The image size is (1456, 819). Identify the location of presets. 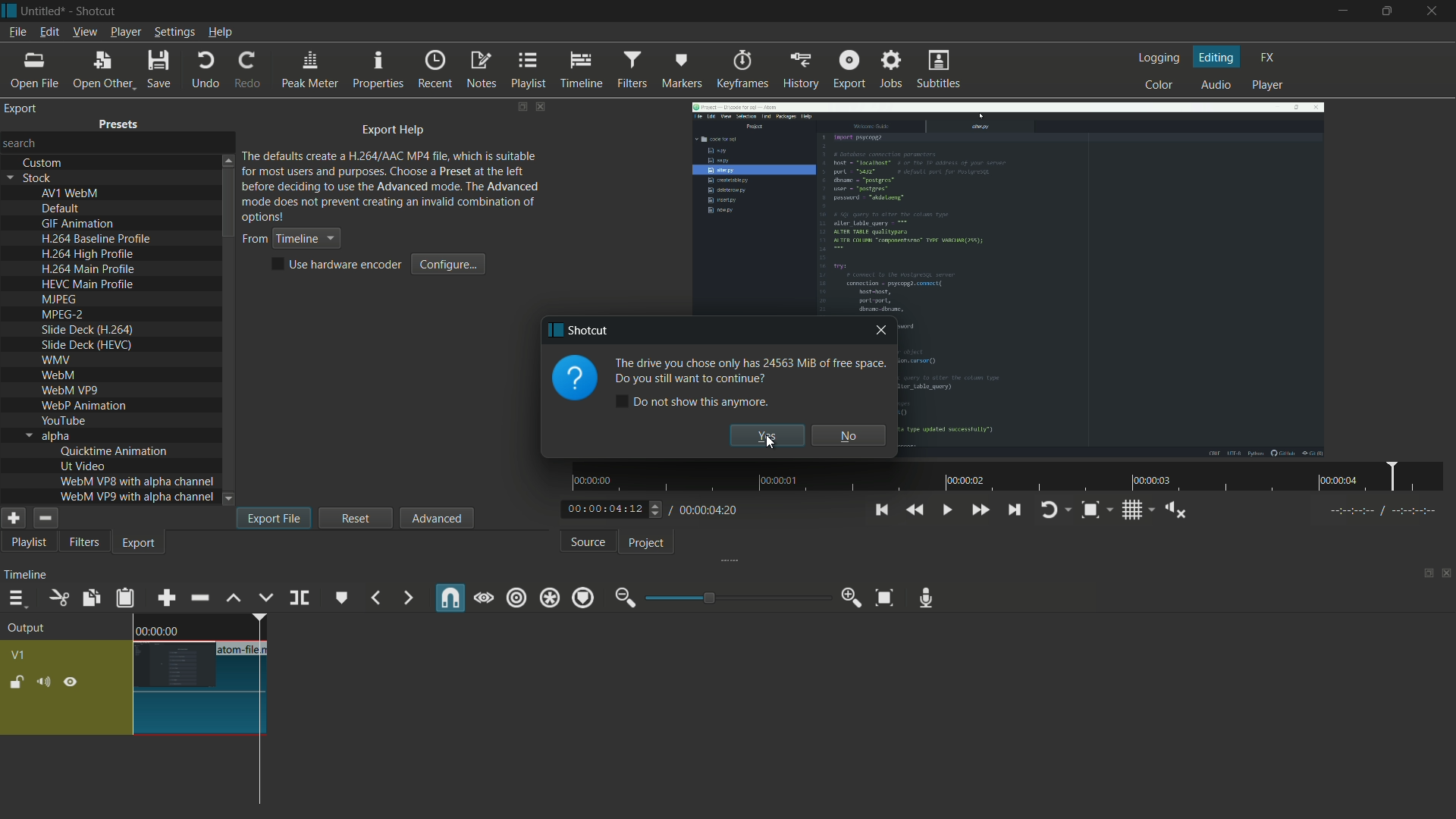
(119, 127).